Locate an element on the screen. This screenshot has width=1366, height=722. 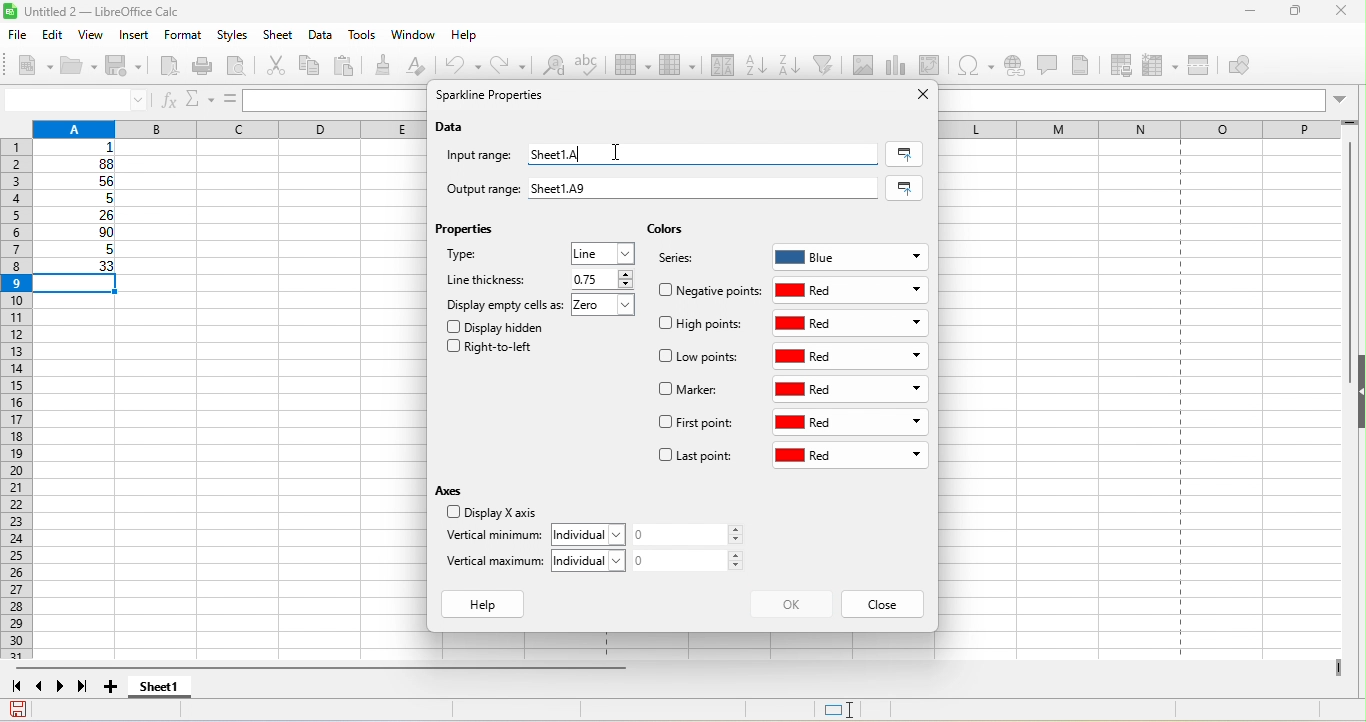
spelling is located at coordinates (594, 70).